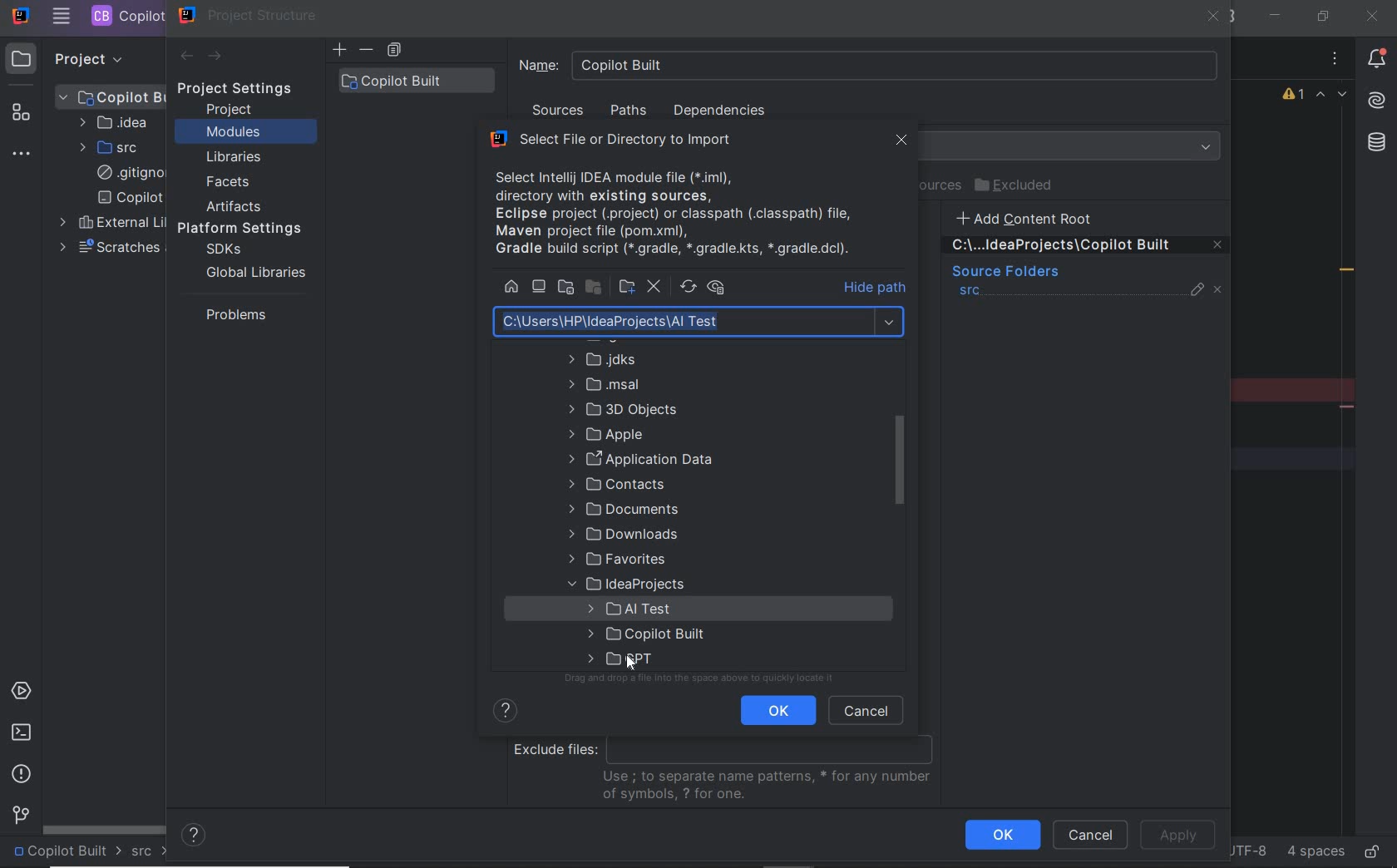  I want to click on folder, so click(616, 483).